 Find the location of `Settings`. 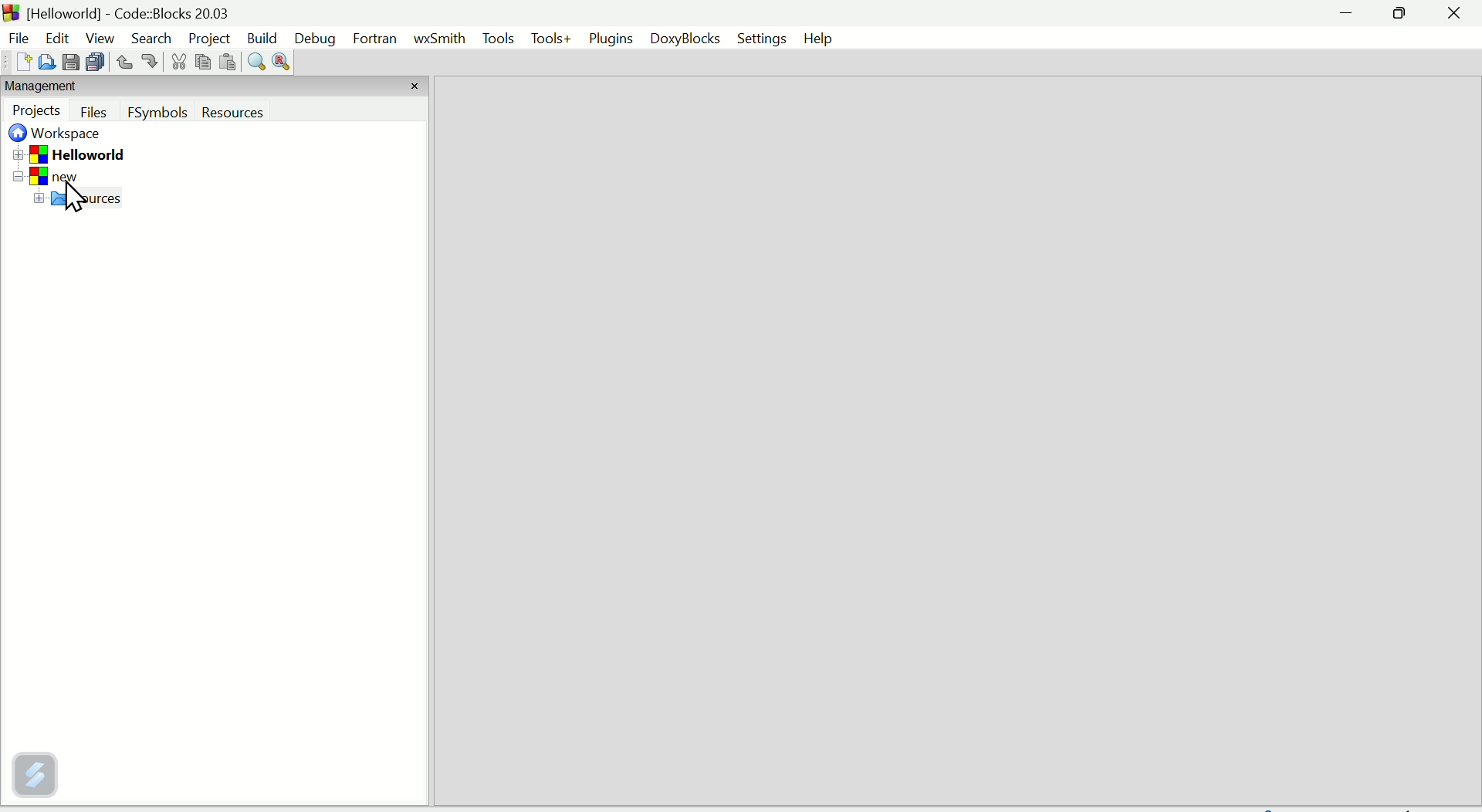

Settings is located at coordinates (762, 38).